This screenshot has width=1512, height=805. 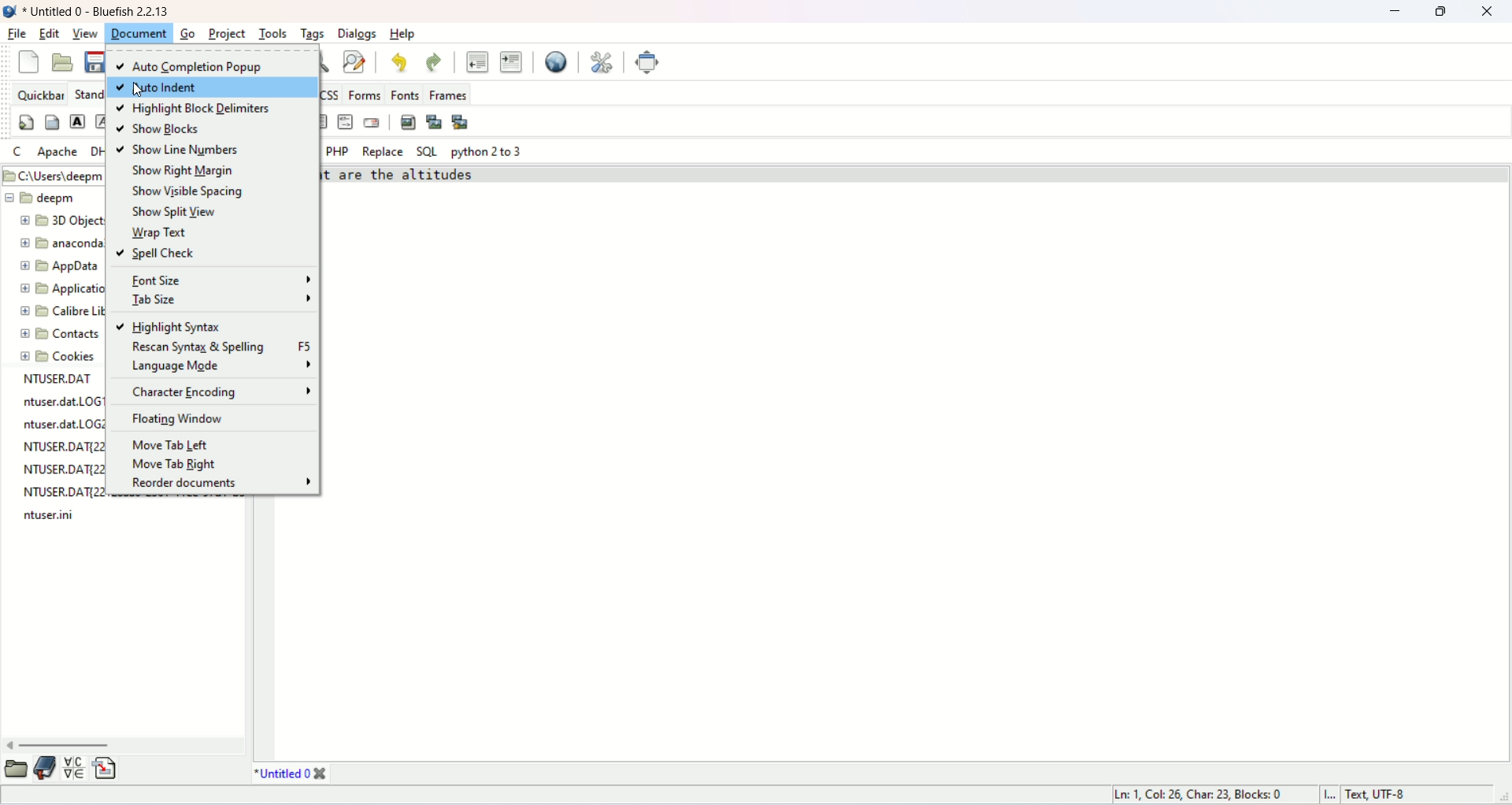 What do you see at coordinates (64, 222) in the screenshot?
I see `3D objects` at bounding box center [64, 222].